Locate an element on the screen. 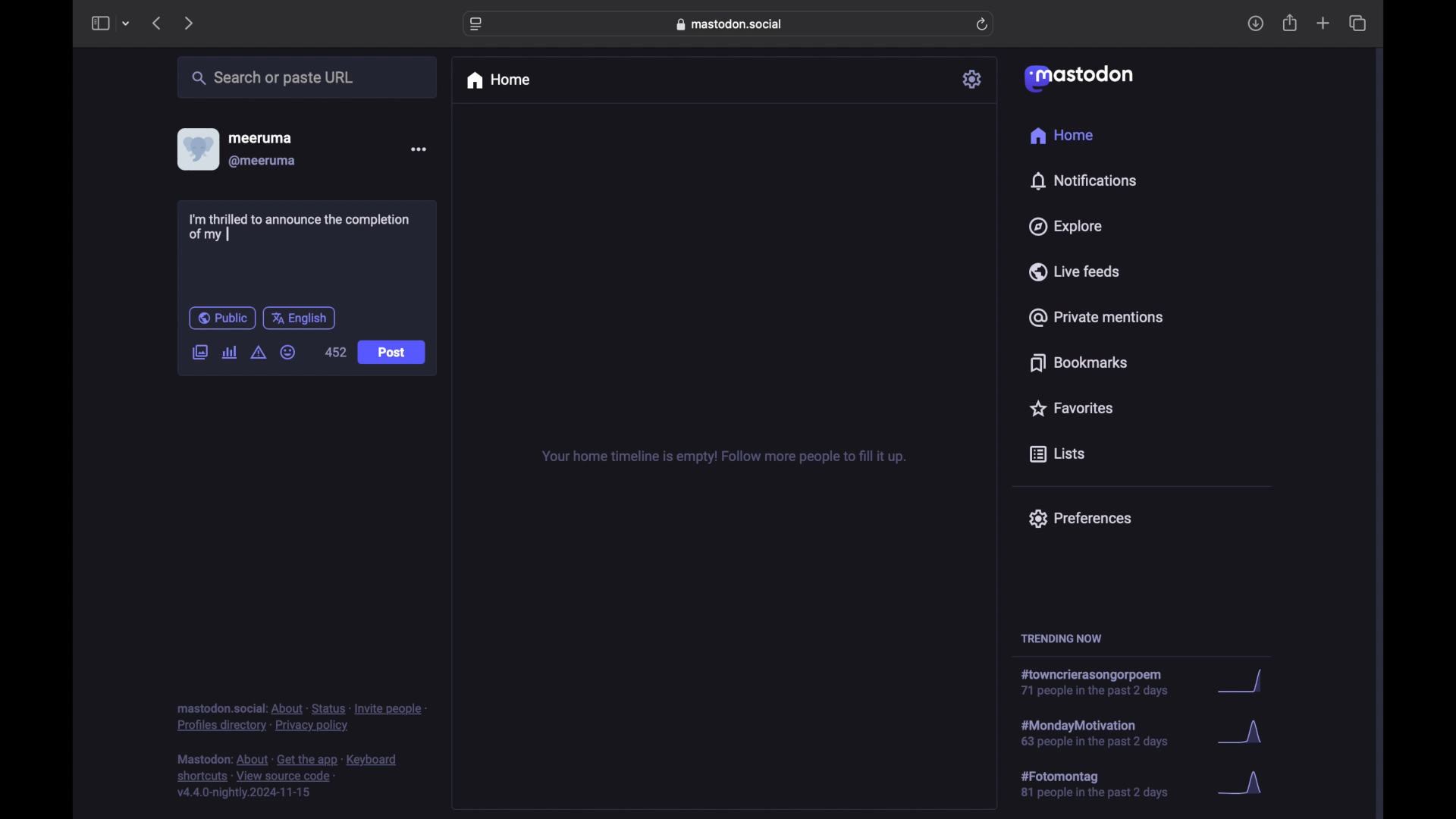 Image resolution: width=1456 pixels, height=819 pixels. private mentions is located at coordinates (1095, 317).